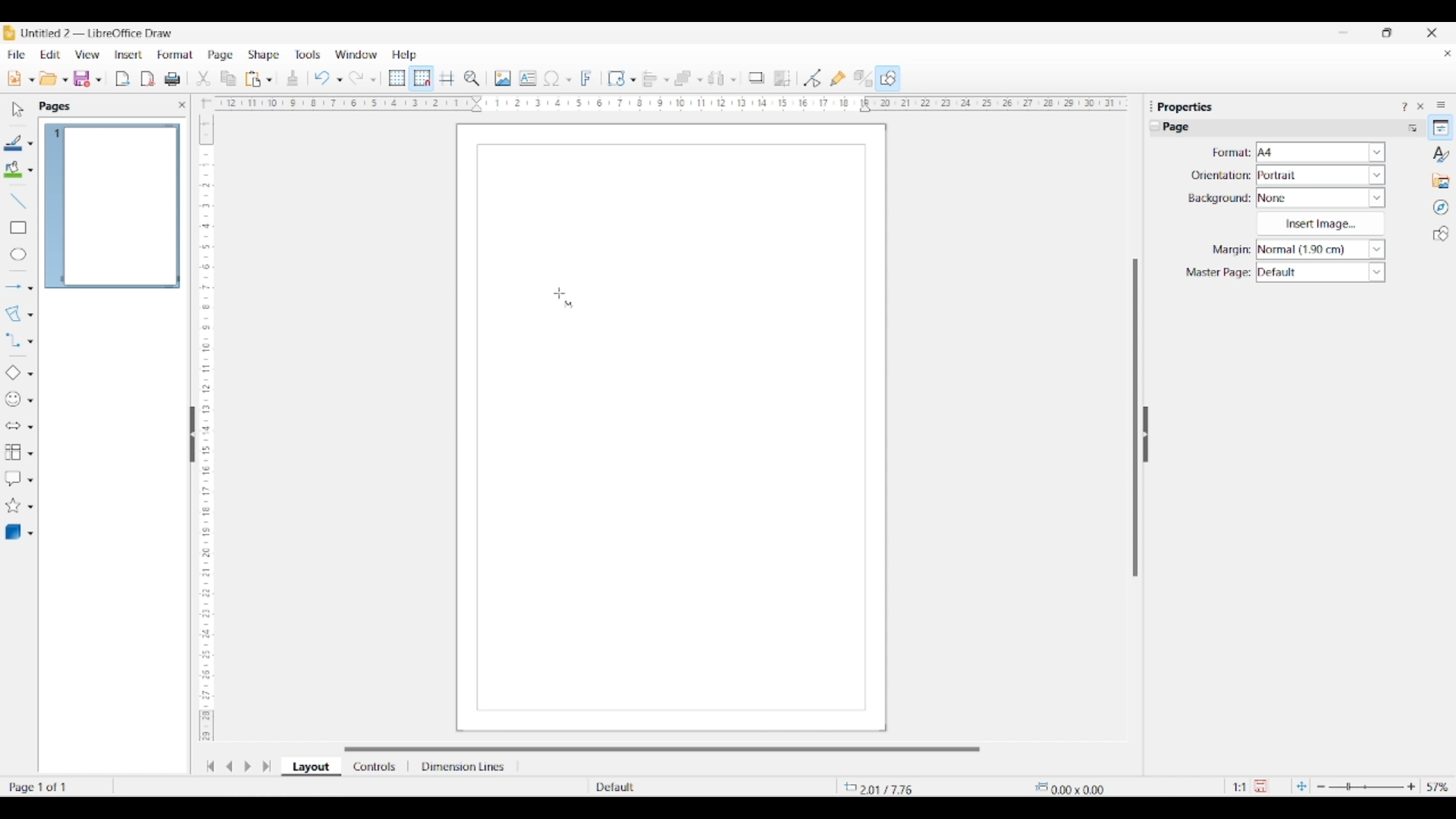 This screenshot has height=819, width=1456. Describe the element at coordinates (16, 55) in the screenshot. I see `File` at that location.